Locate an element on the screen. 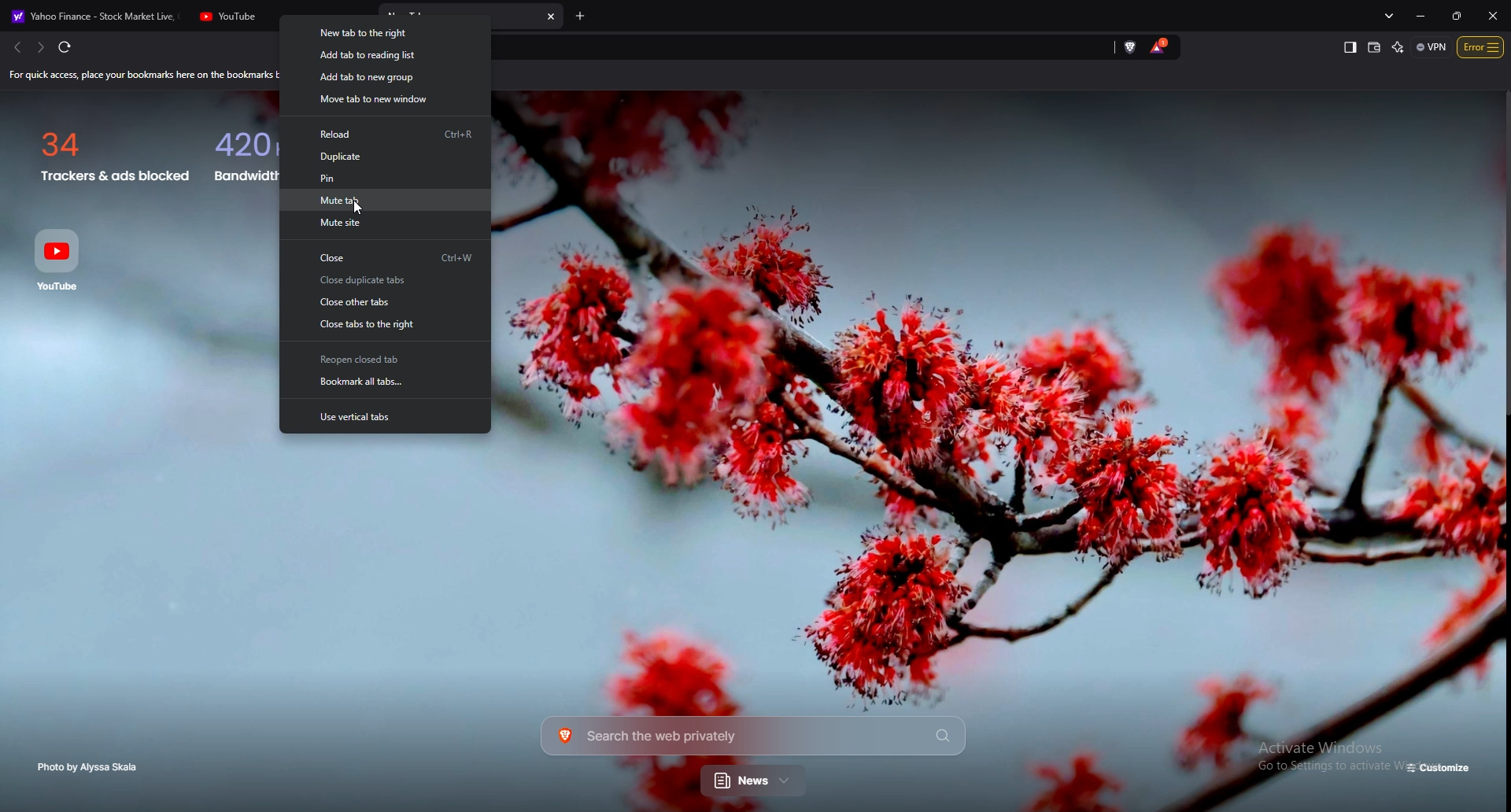 The image size is (1511, 812). duplicate is located at coordinates (386, 157).